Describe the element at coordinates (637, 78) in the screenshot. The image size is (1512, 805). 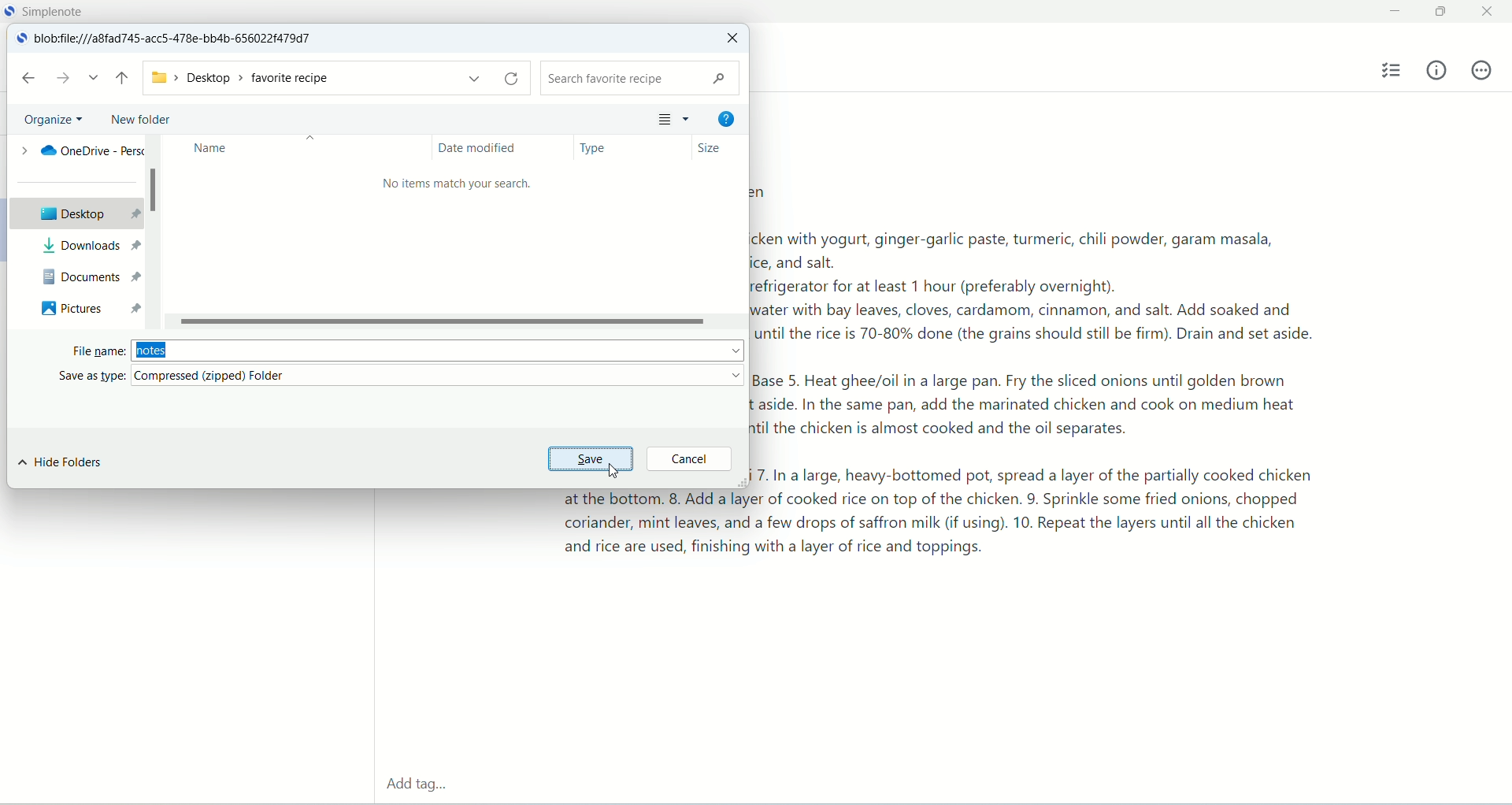
I see `search` at that location.